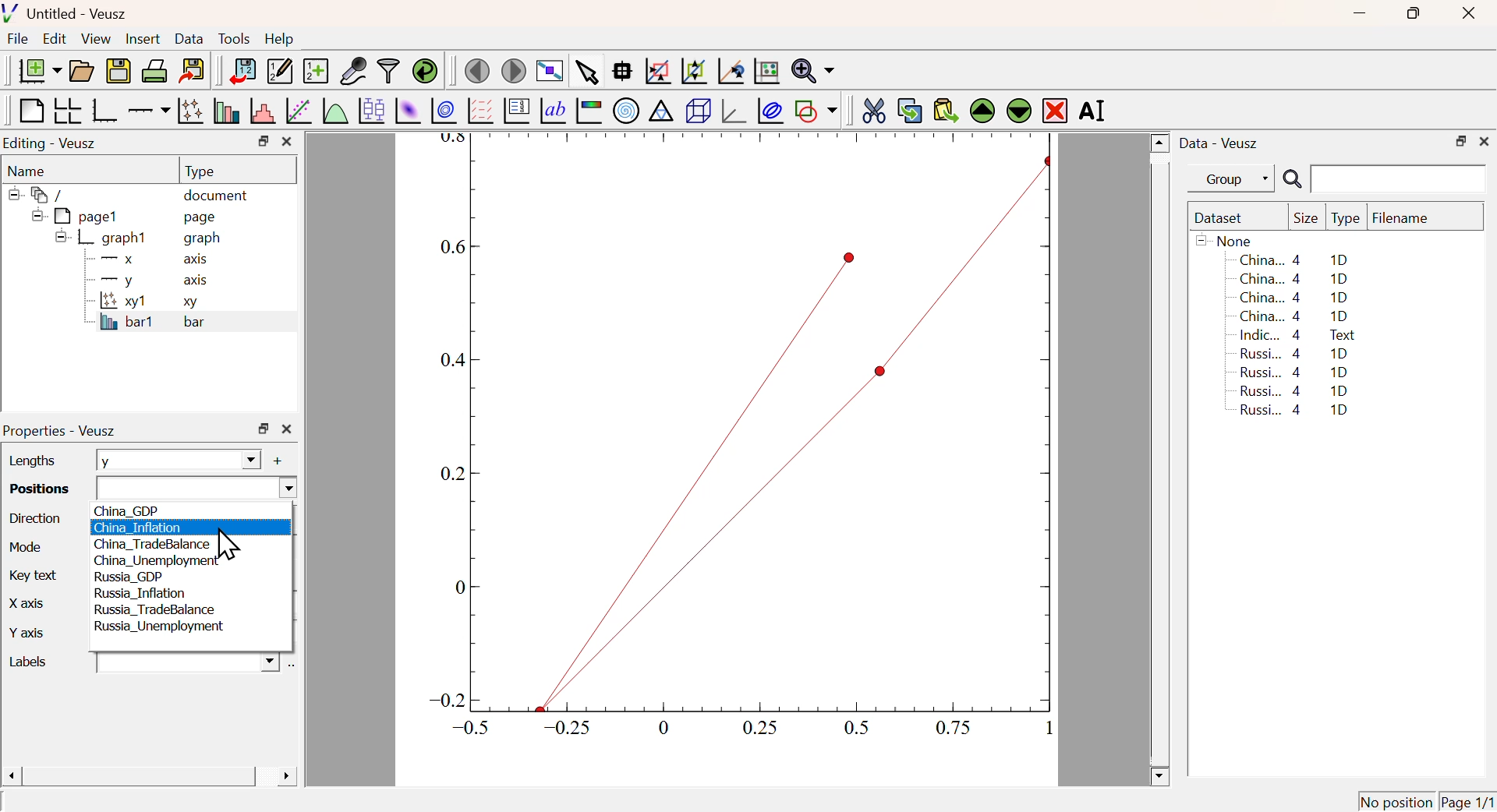 The width and height of the screenshot is (1497, 812). Describe the element at coordinates (478, 110) in the screenshot. I see `Plot Vector Field` at that location.